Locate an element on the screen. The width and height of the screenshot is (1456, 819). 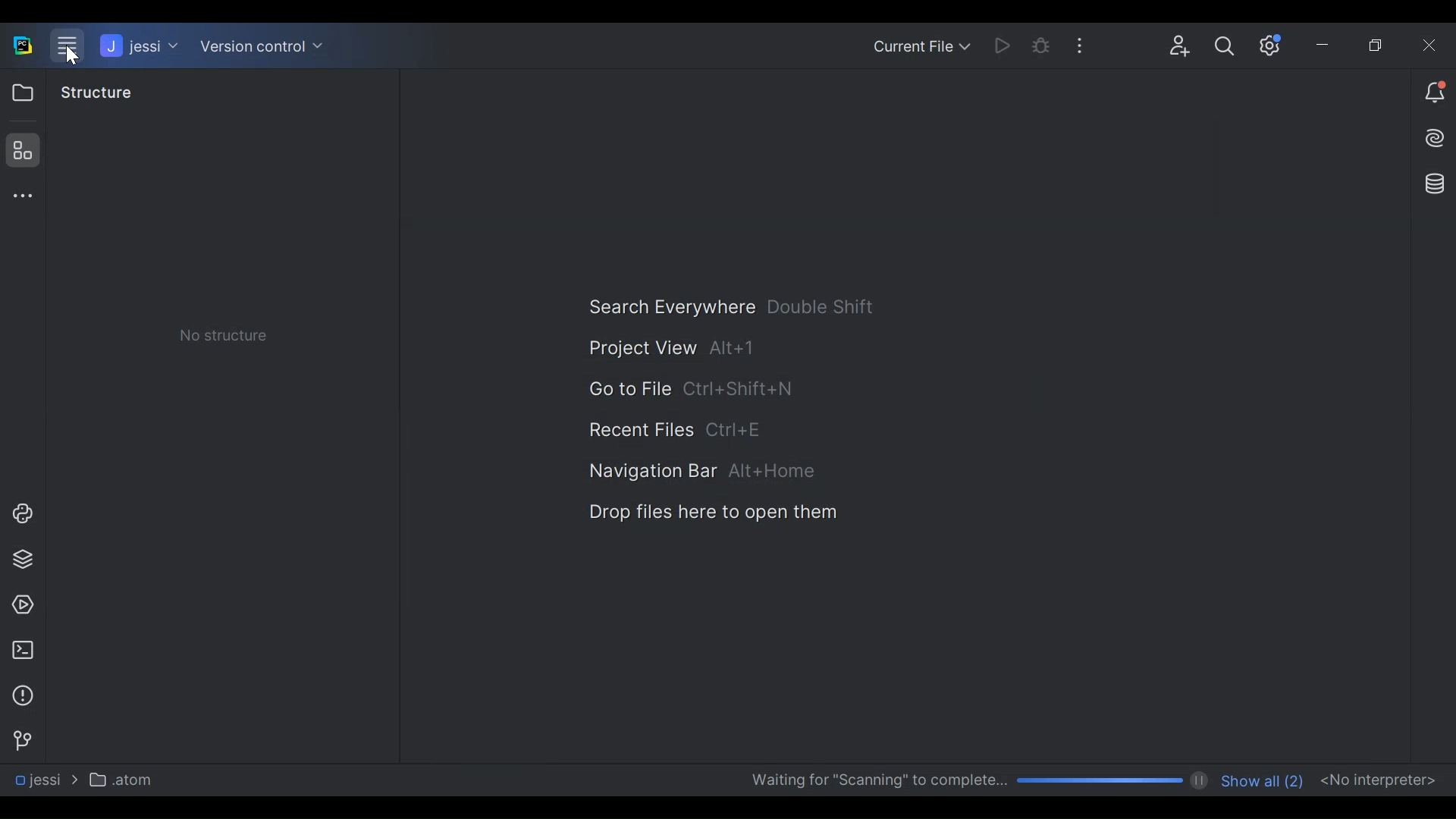
Show all number of files is located at coordinates (1264, 779).